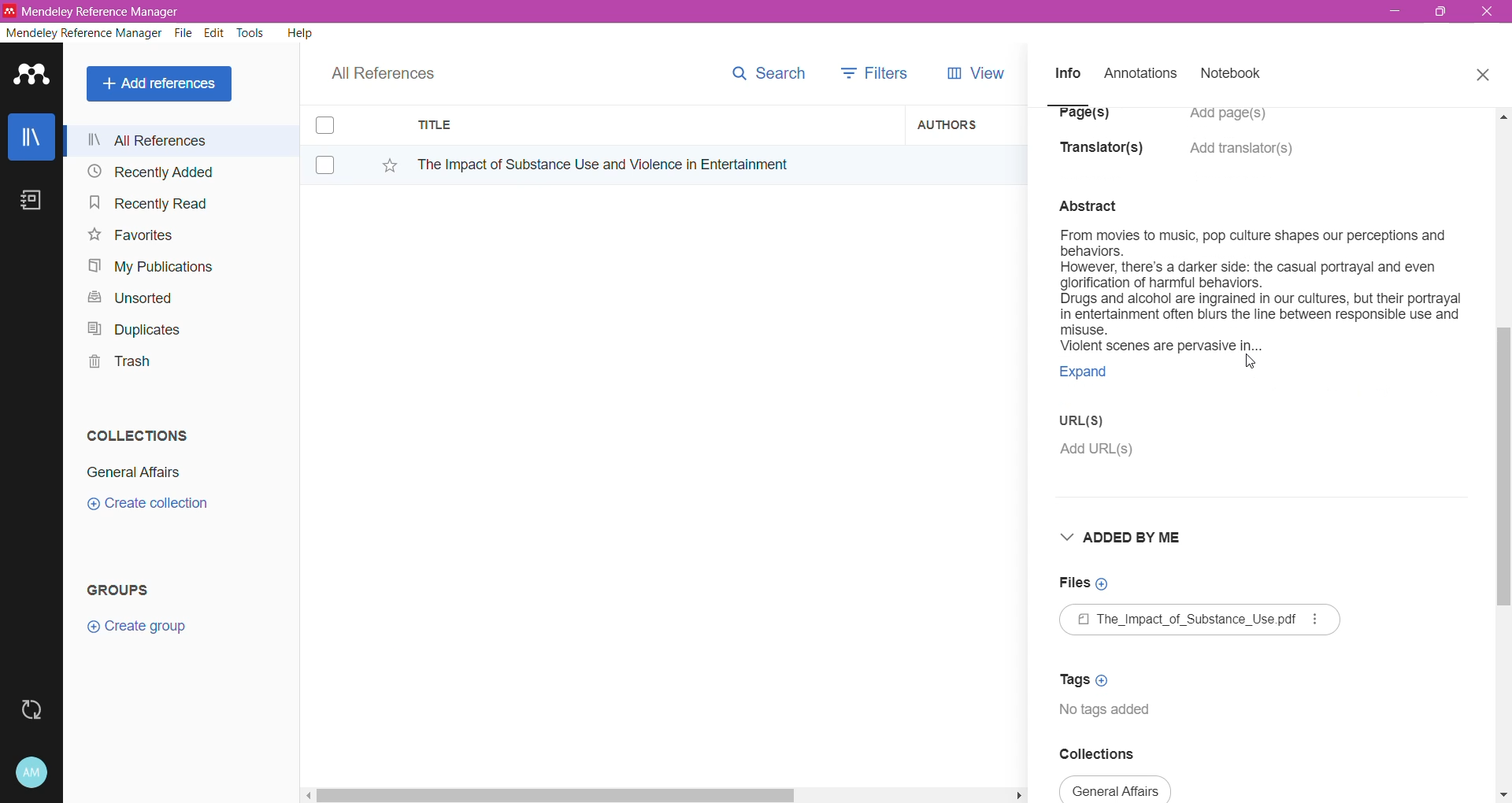 The width and height of the screenshot is (1512, 803). I want to click on Page(s), so click(1082, 119).